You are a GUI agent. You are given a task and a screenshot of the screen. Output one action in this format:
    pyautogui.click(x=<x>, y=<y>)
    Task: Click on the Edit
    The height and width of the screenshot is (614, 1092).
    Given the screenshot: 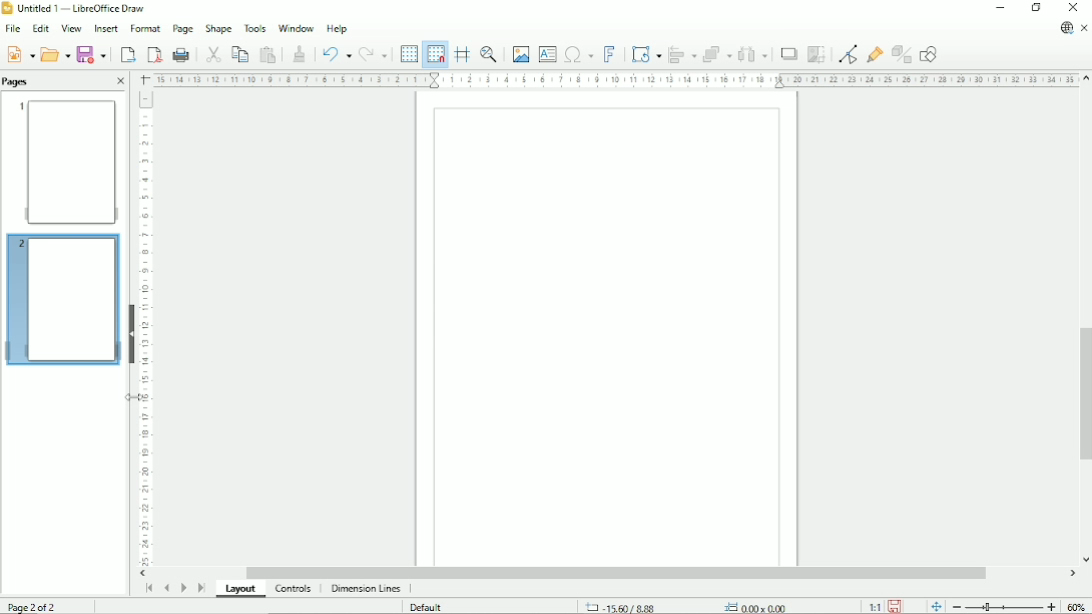 What is the action you would take?
    pyautogui.click(x=39, y=29)
    